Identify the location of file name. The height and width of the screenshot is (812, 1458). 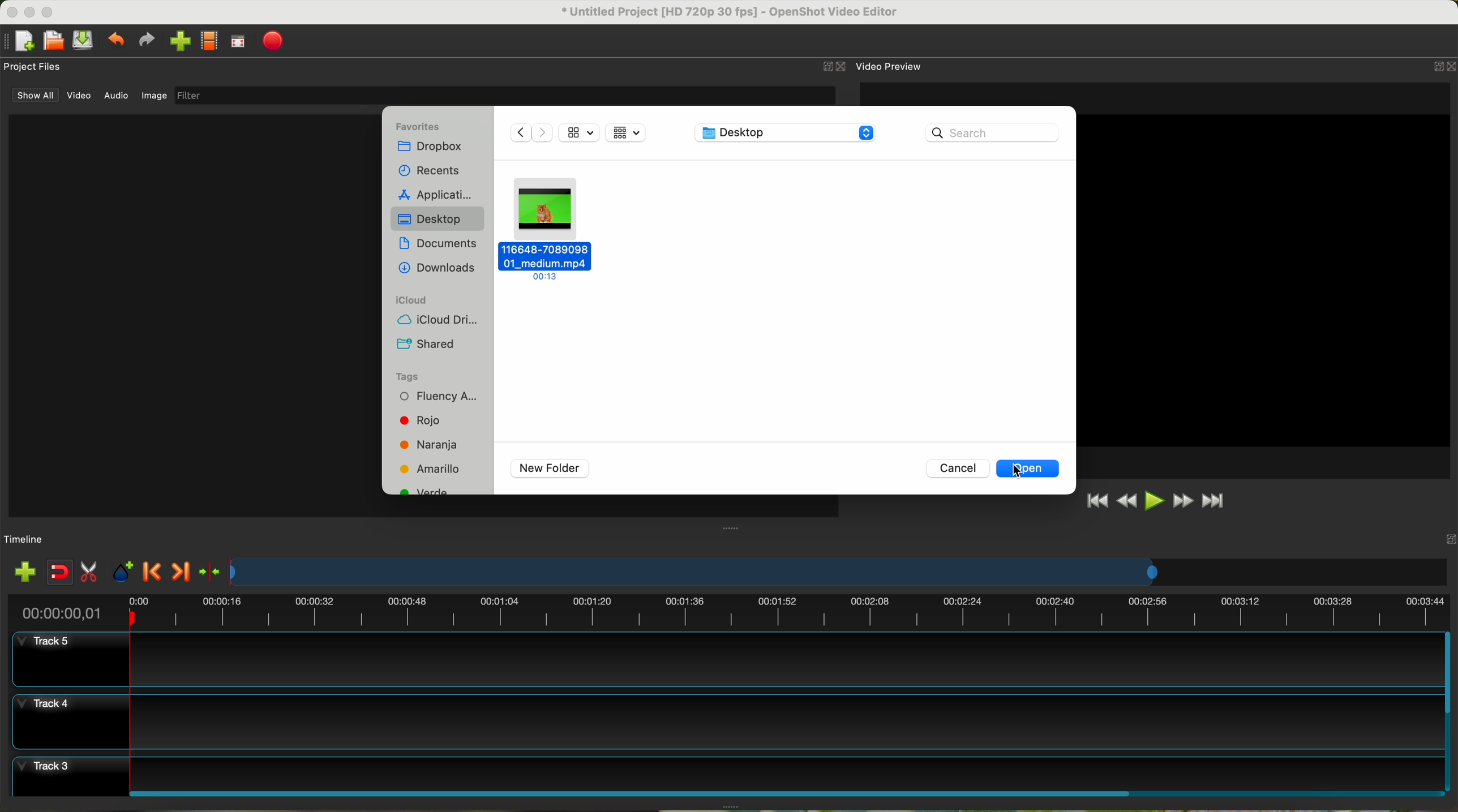
(731, 12).